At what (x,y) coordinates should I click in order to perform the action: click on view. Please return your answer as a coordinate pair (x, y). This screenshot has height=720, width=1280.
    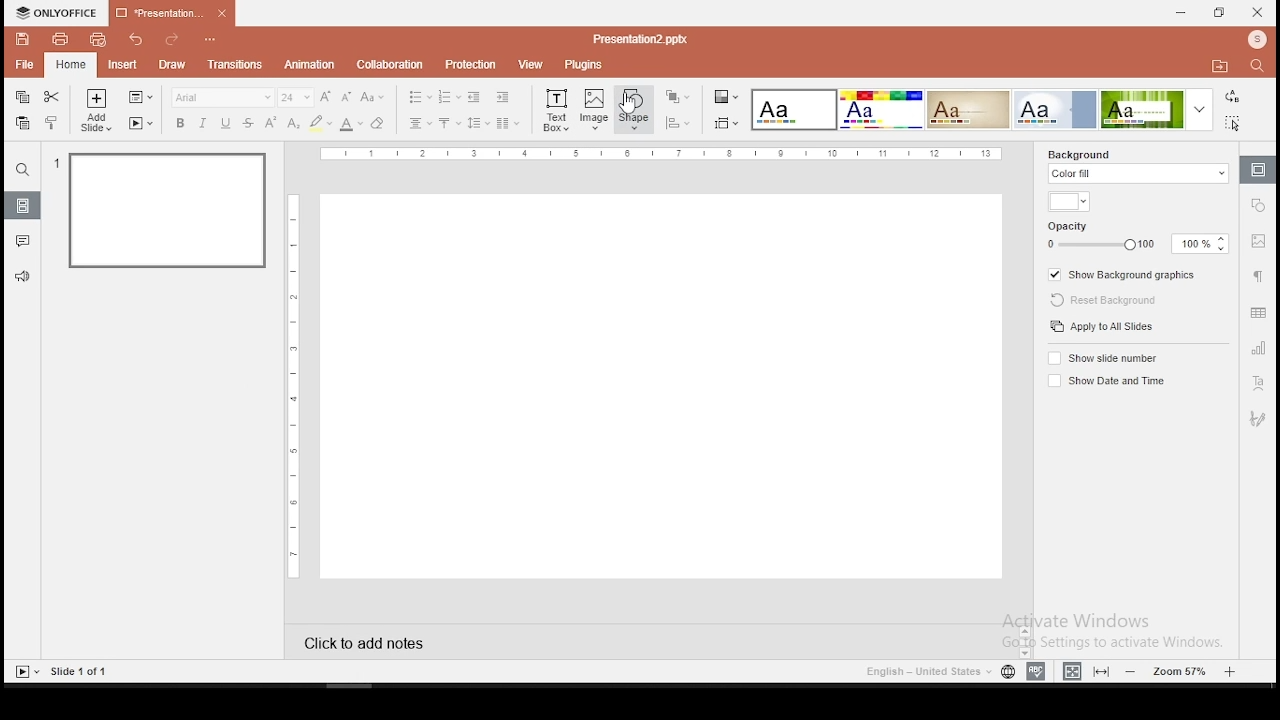
    Looking at the image, I should click on (528, 65).